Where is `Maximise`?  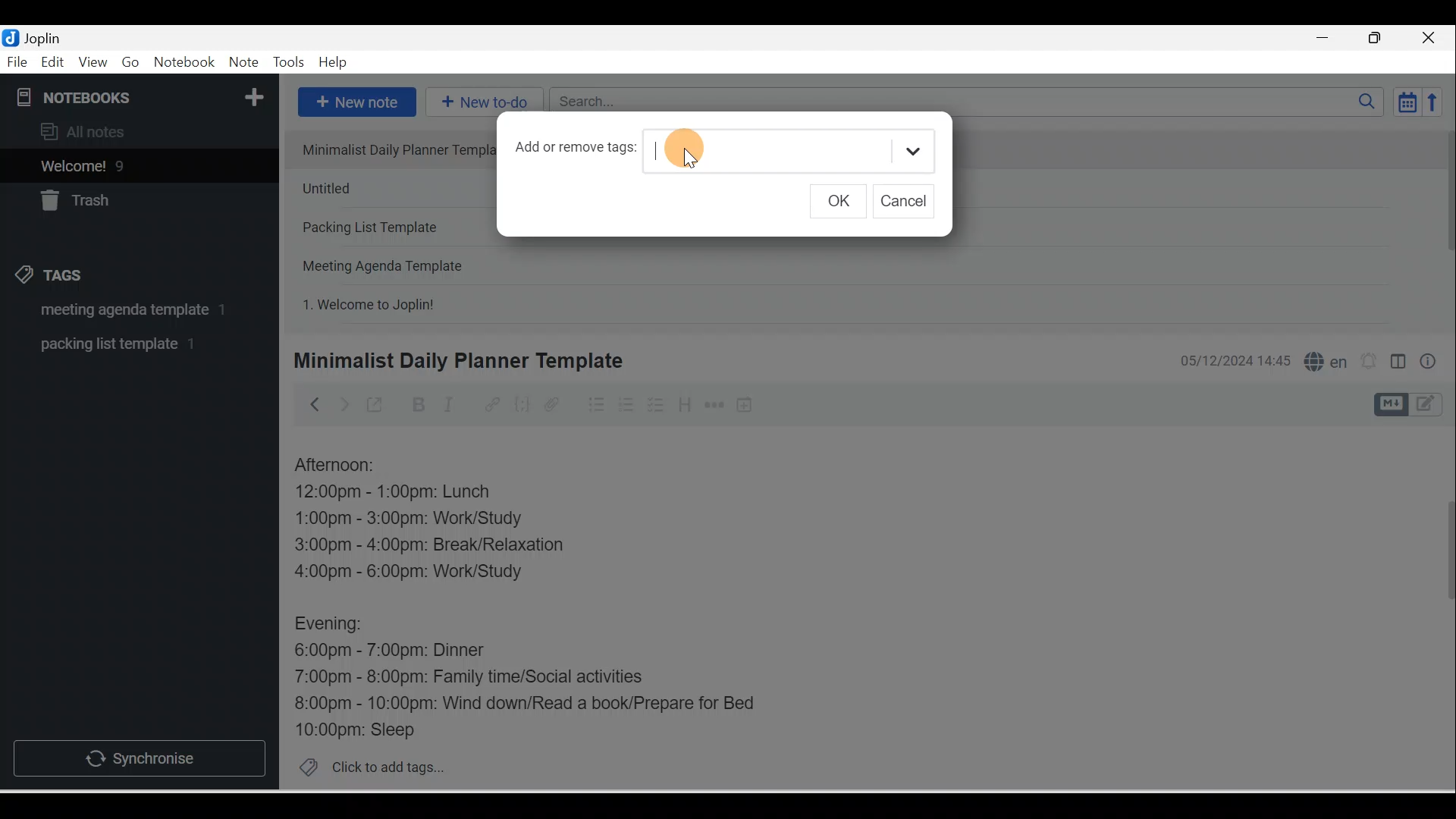
Maximise is located at coordinates (1380, 39).